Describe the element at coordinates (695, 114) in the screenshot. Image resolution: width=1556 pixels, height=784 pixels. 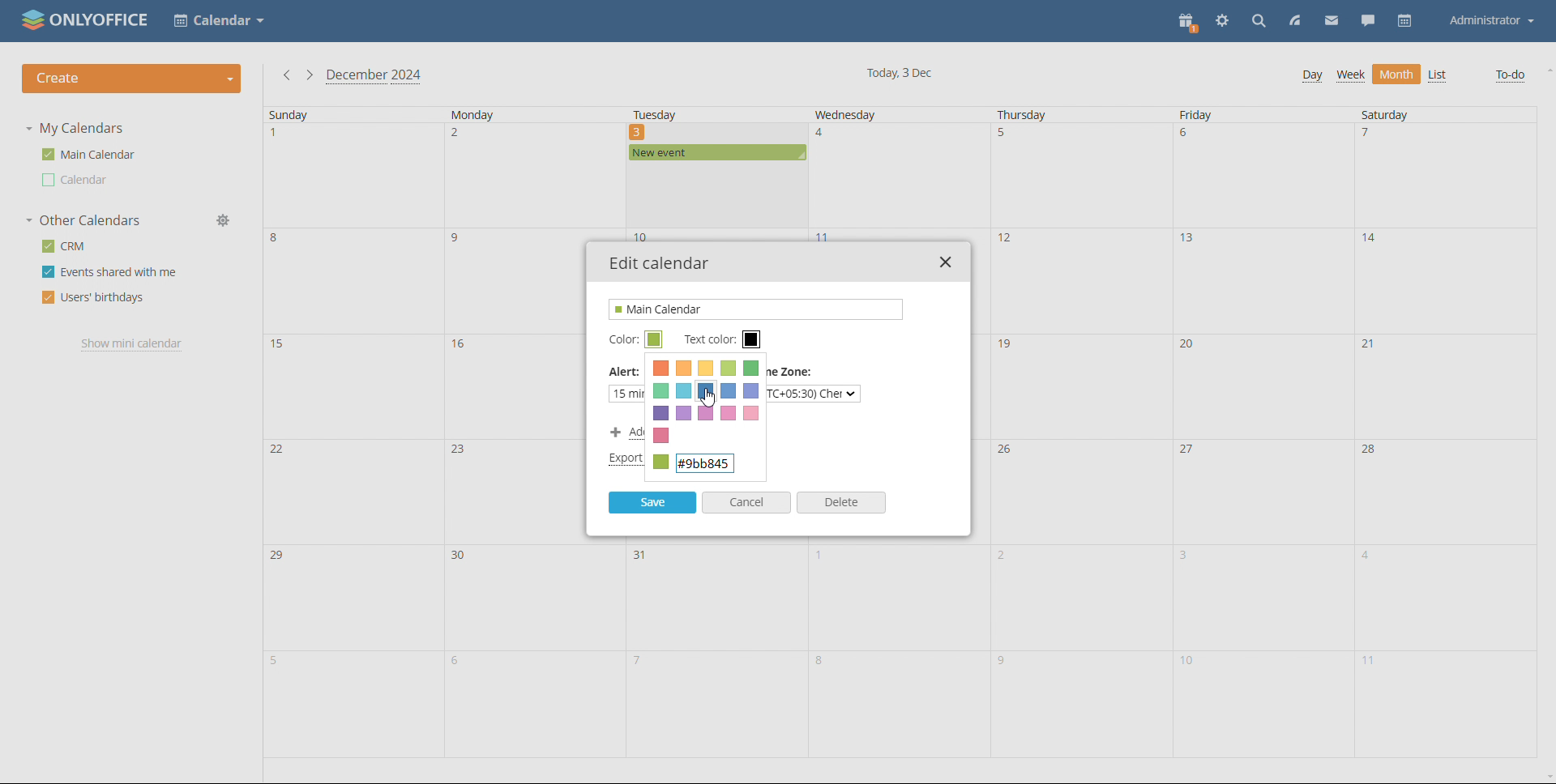
I see `tuesday` at that location.